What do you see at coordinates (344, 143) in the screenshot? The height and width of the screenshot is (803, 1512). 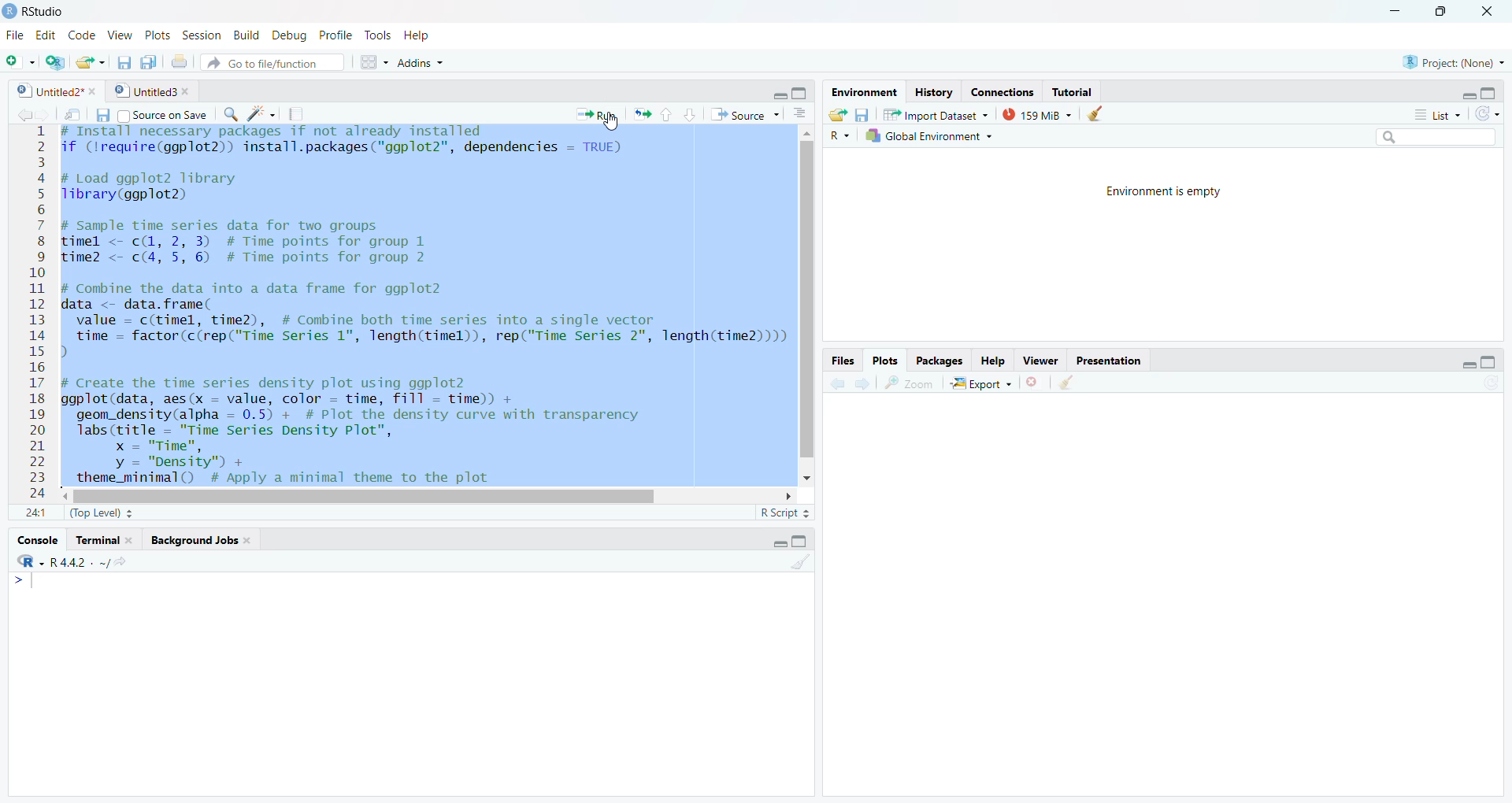 I see `# Install necessary packages if not already installed if (Irequire(ggplot2)) install.packages("ggplot2", dependencies = TRUE)` at bounding box center [344, 143].